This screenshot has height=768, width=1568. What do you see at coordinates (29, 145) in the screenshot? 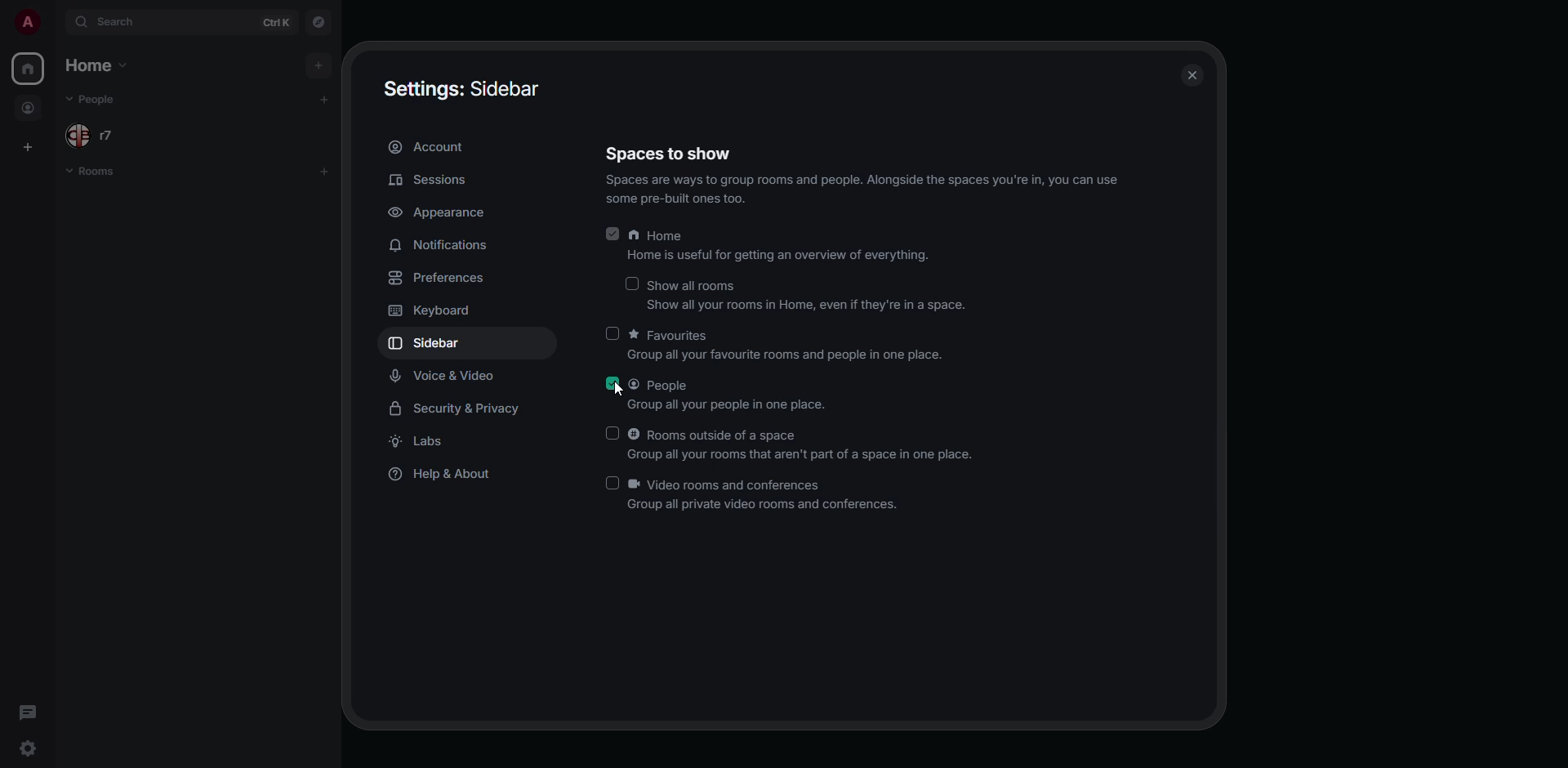
I see `create space` at bounding box center [29, 145].